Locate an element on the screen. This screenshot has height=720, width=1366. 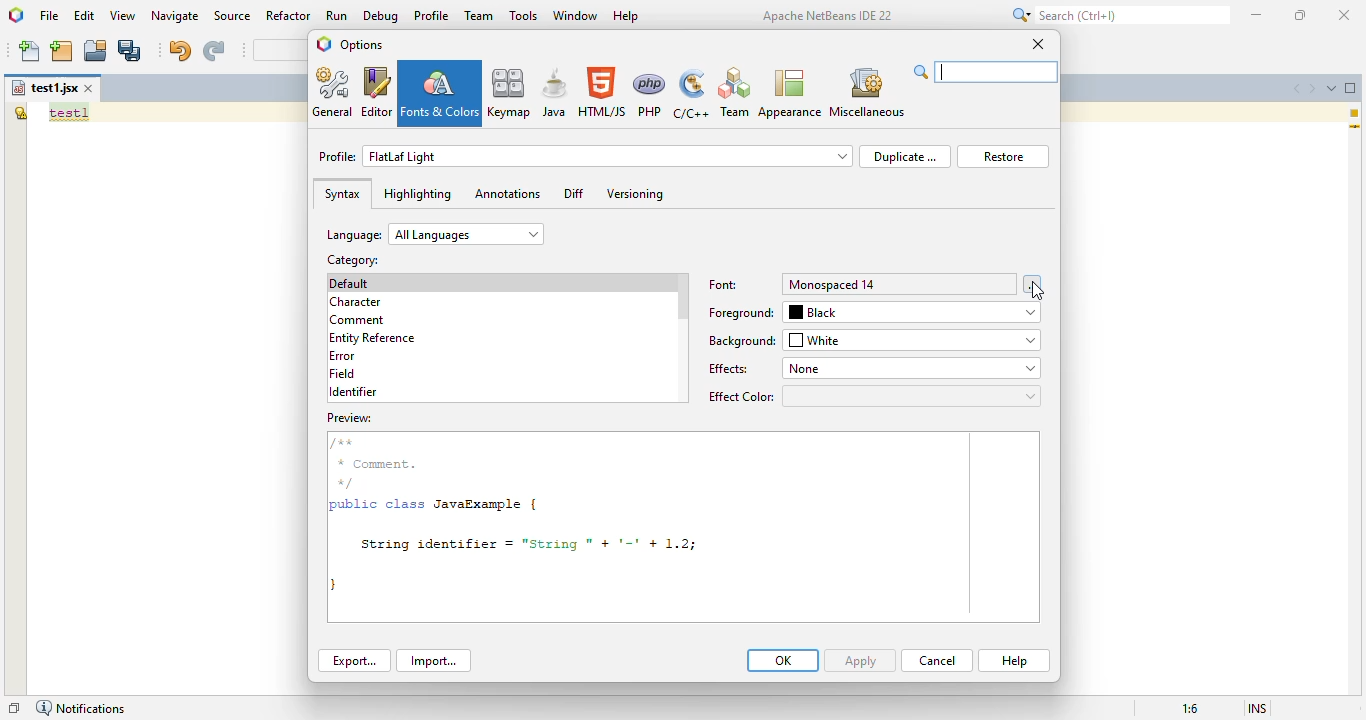
profile is located at coordinates (432, 15).